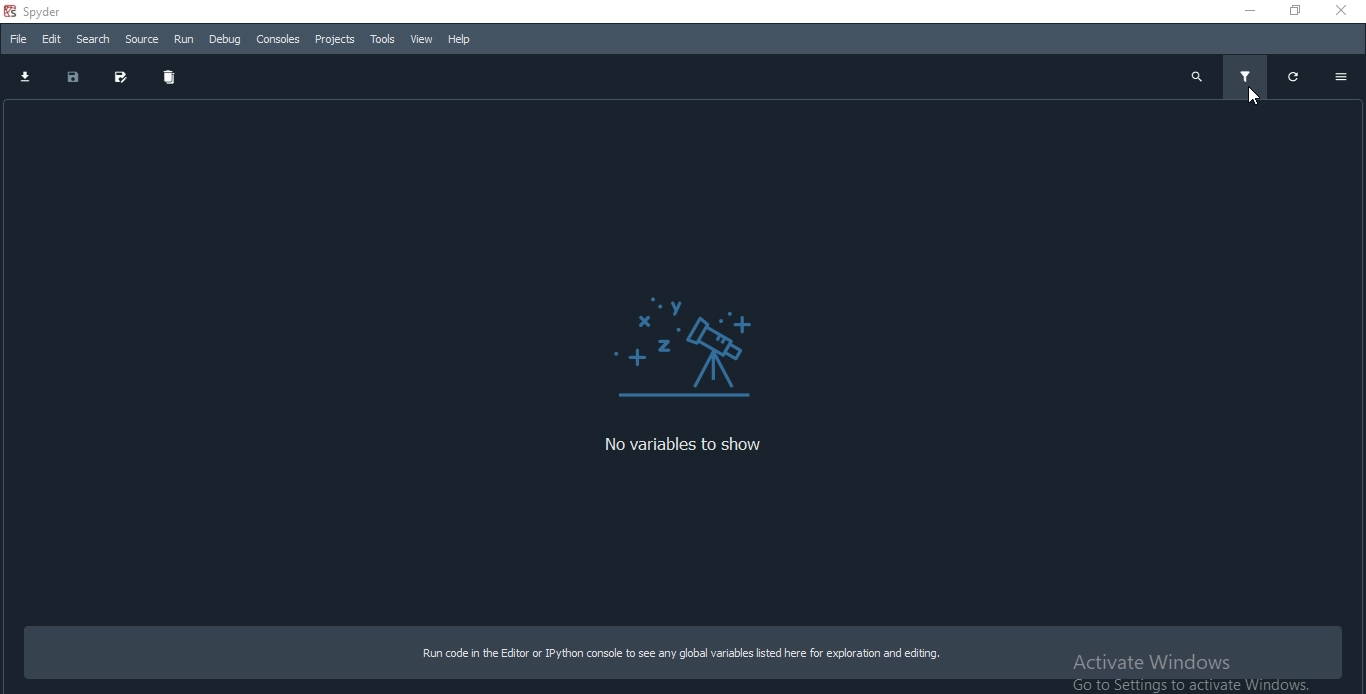 The image size is (1366, 694). What do you see at coordinates (1296, 78) in the screenshot?
I see `restore` at bounding box center [1296, 78].